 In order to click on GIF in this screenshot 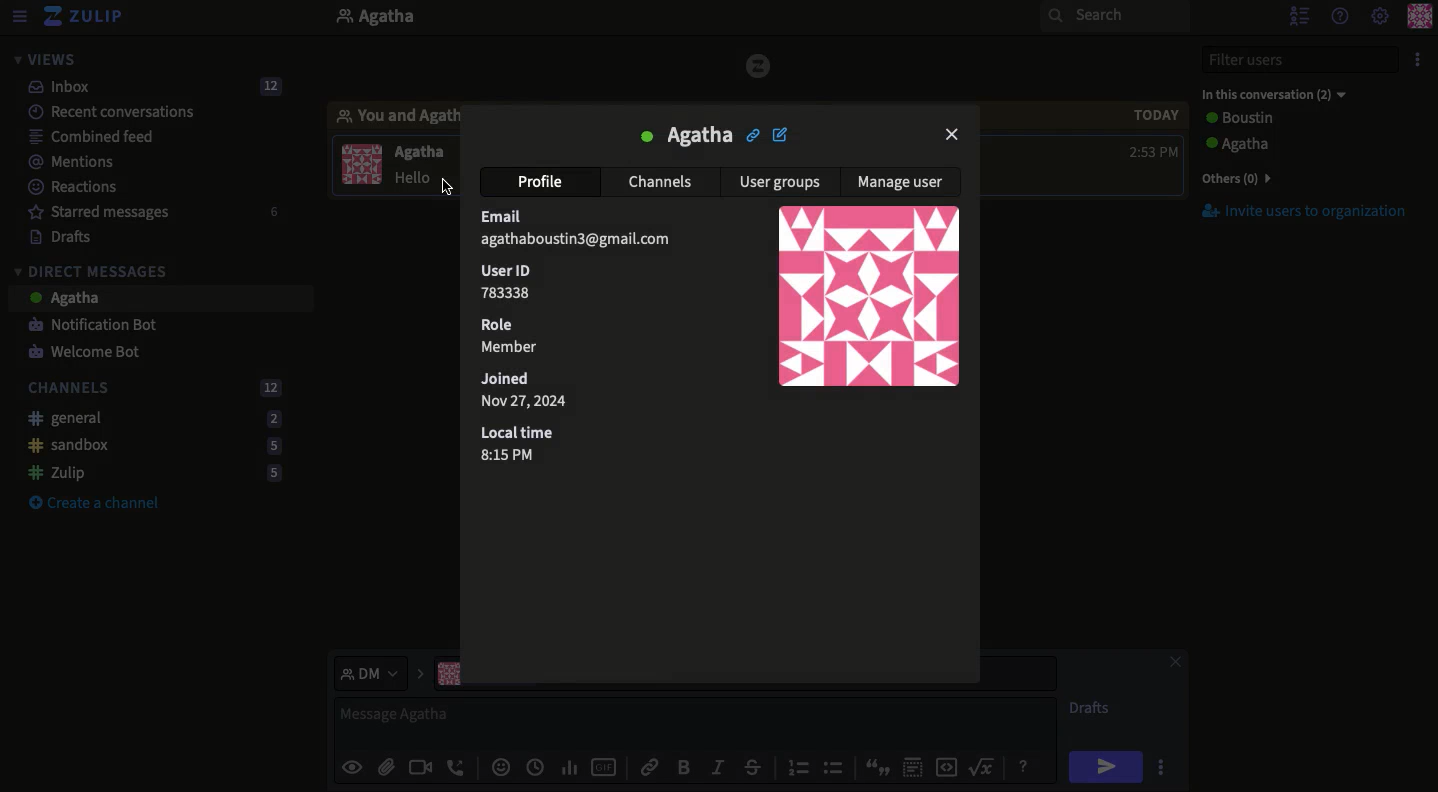, I will do `click(607, 767)`.